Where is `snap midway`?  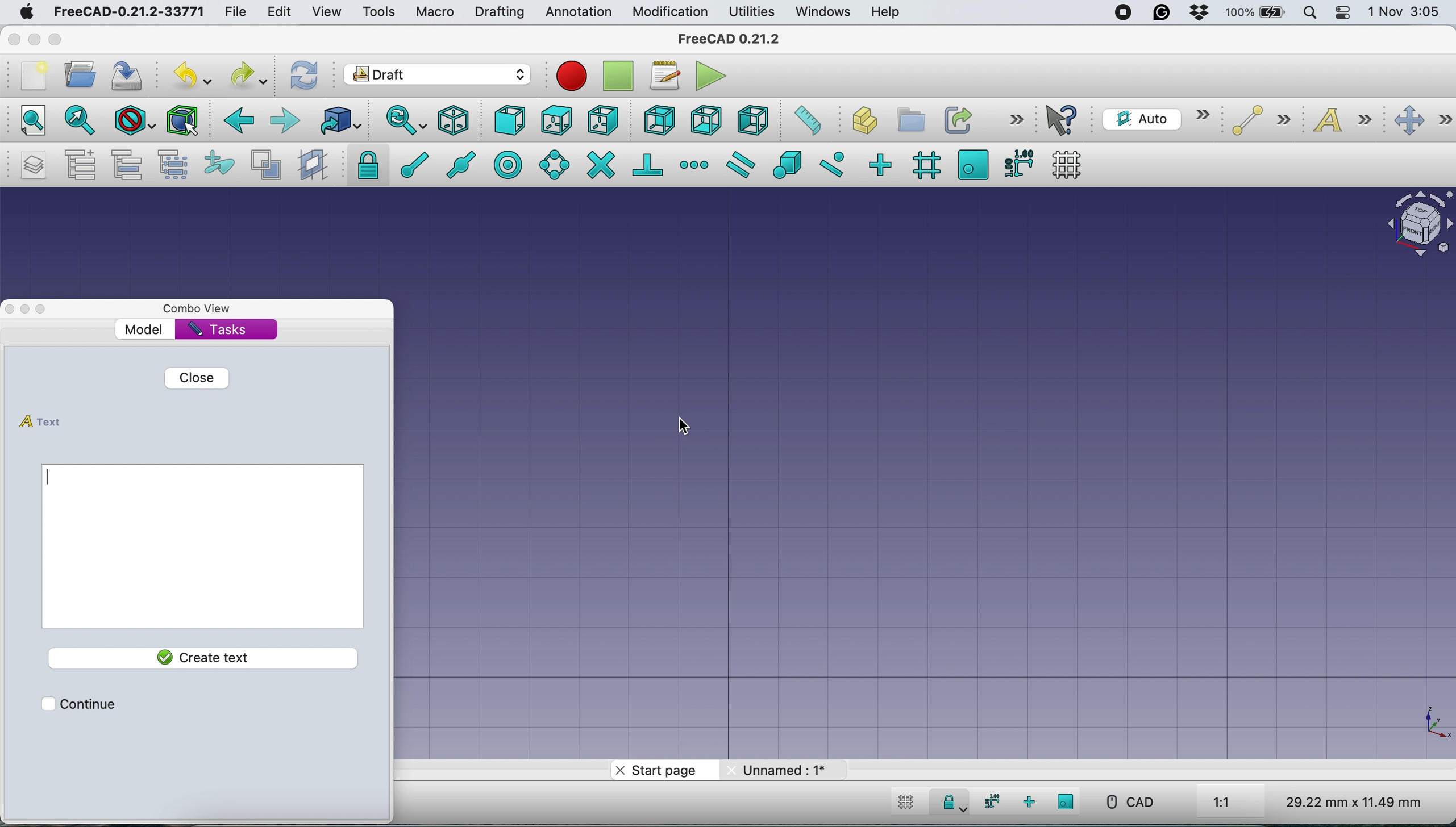 snap midway is located at coordinates (457, 166).